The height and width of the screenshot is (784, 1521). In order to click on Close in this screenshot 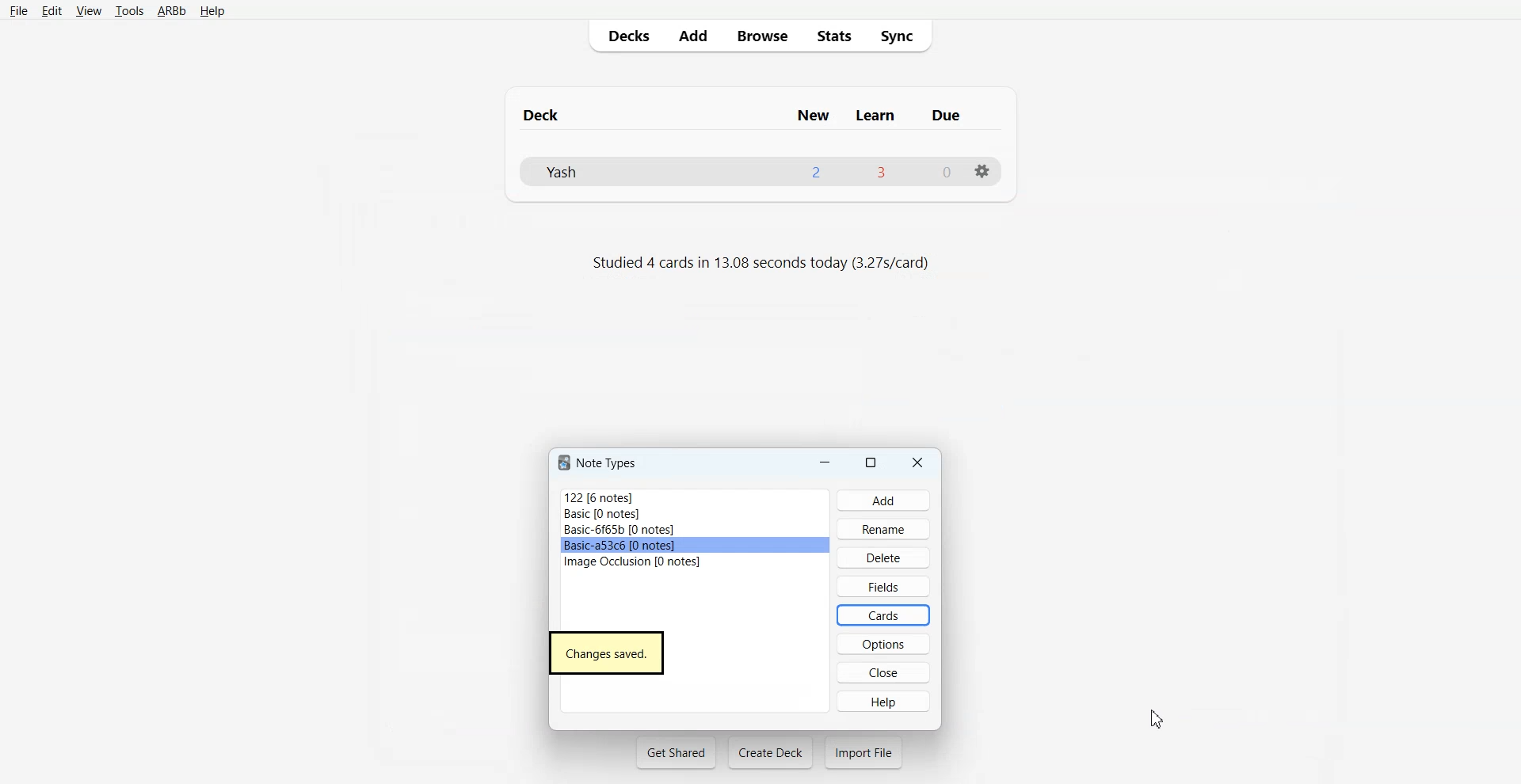, I will do `click(918, 462)`.